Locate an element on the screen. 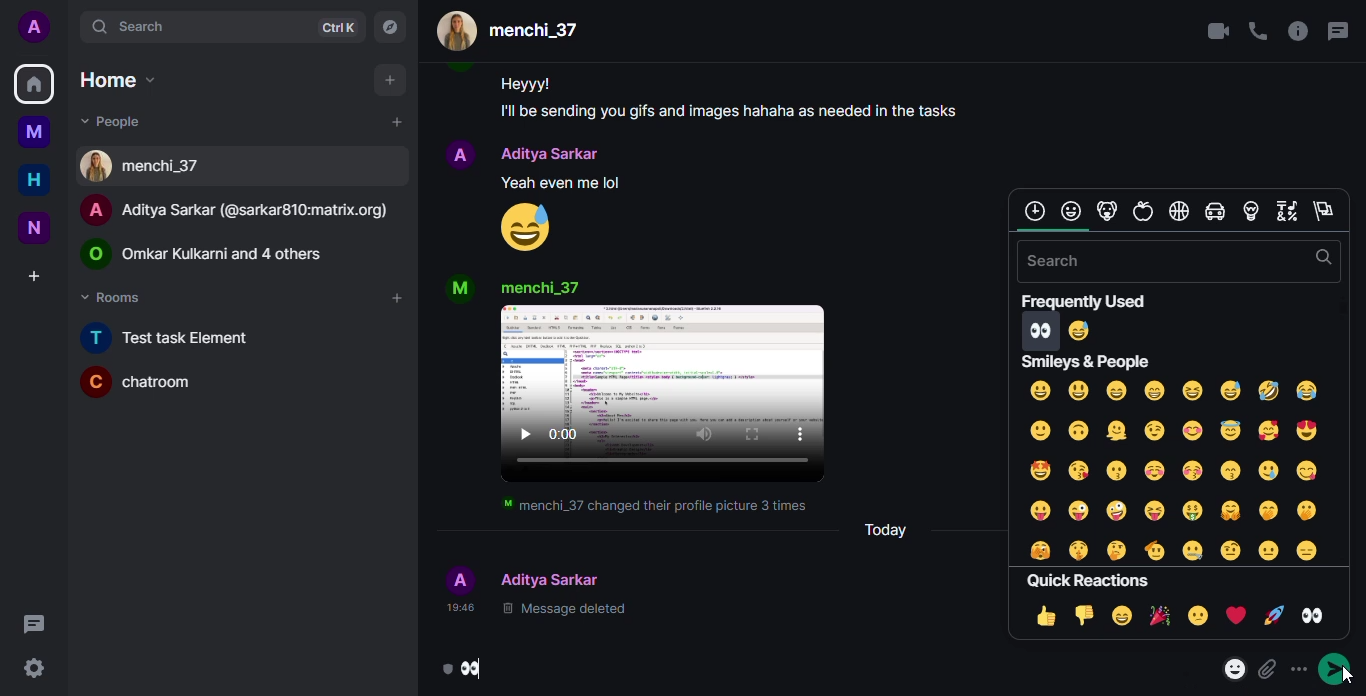 This screenshot has height=696, width=1366. add is located at coordinates (395, 298).